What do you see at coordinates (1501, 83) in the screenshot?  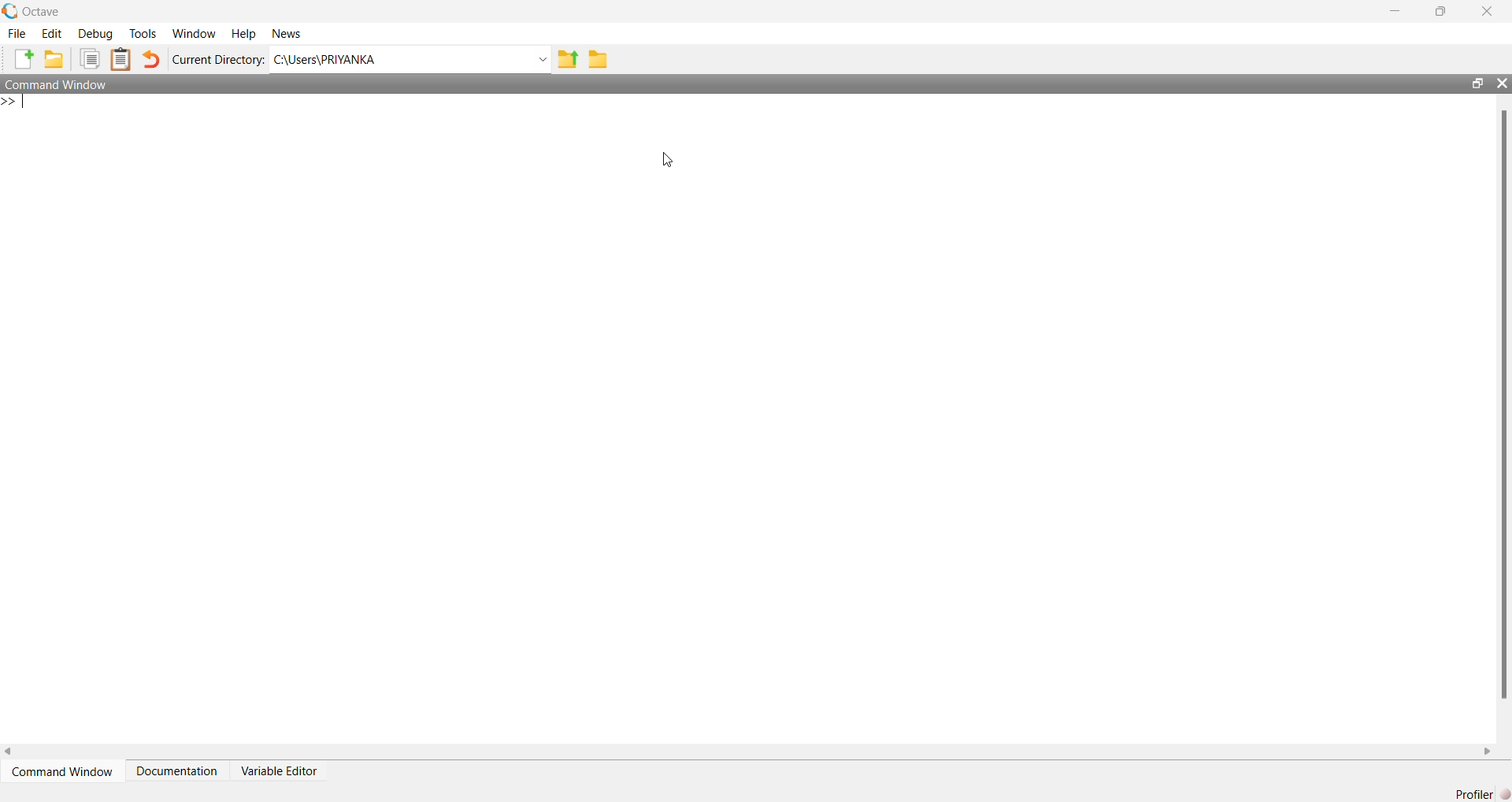 I see `close` at bounding box center [1501, 83].